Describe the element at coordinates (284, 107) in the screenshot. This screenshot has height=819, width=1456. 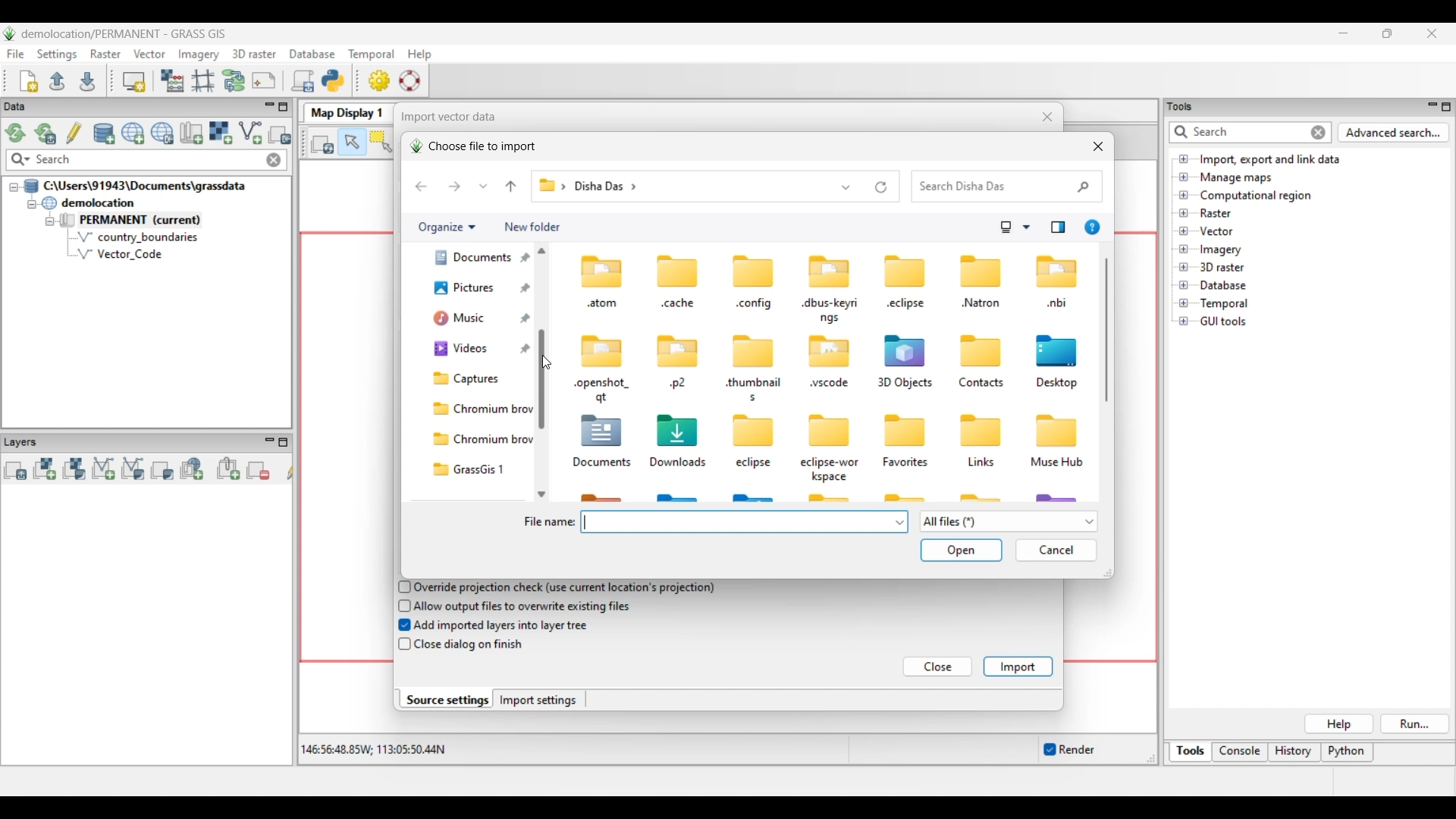
I see `Maximize Data panel` at that location.